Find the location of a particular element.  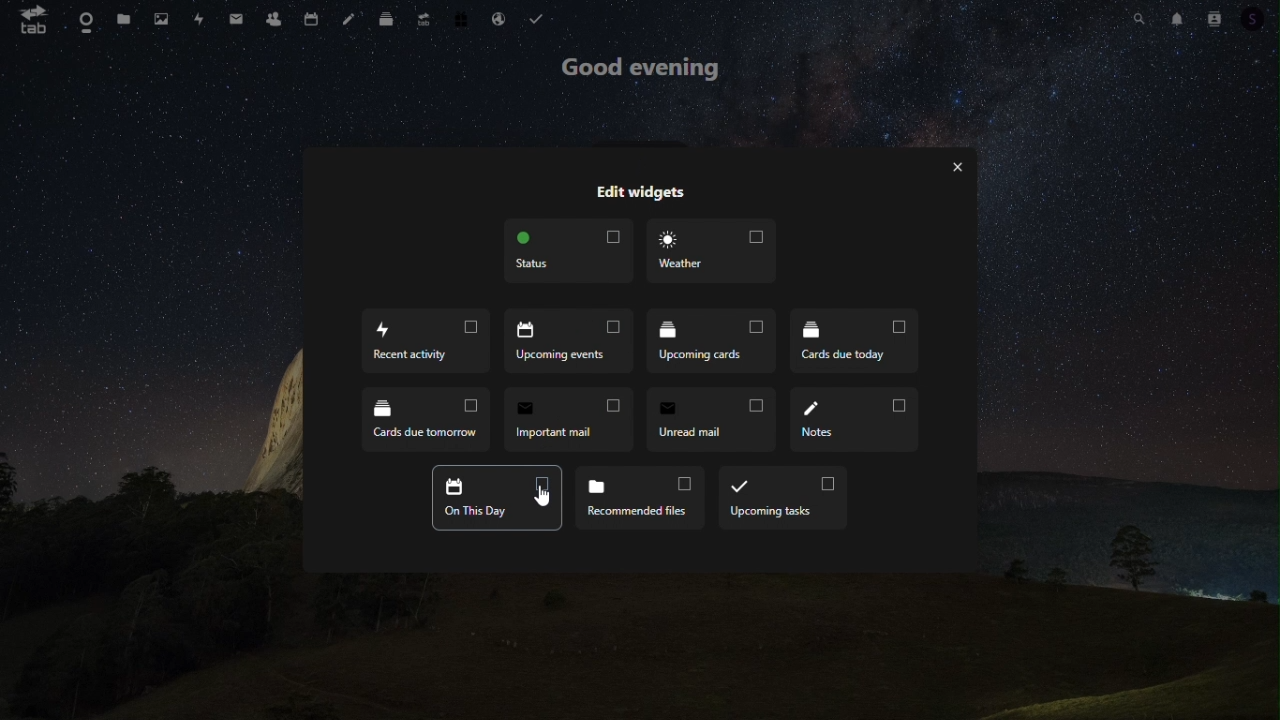

Notes is located at coordinates (854, 422).